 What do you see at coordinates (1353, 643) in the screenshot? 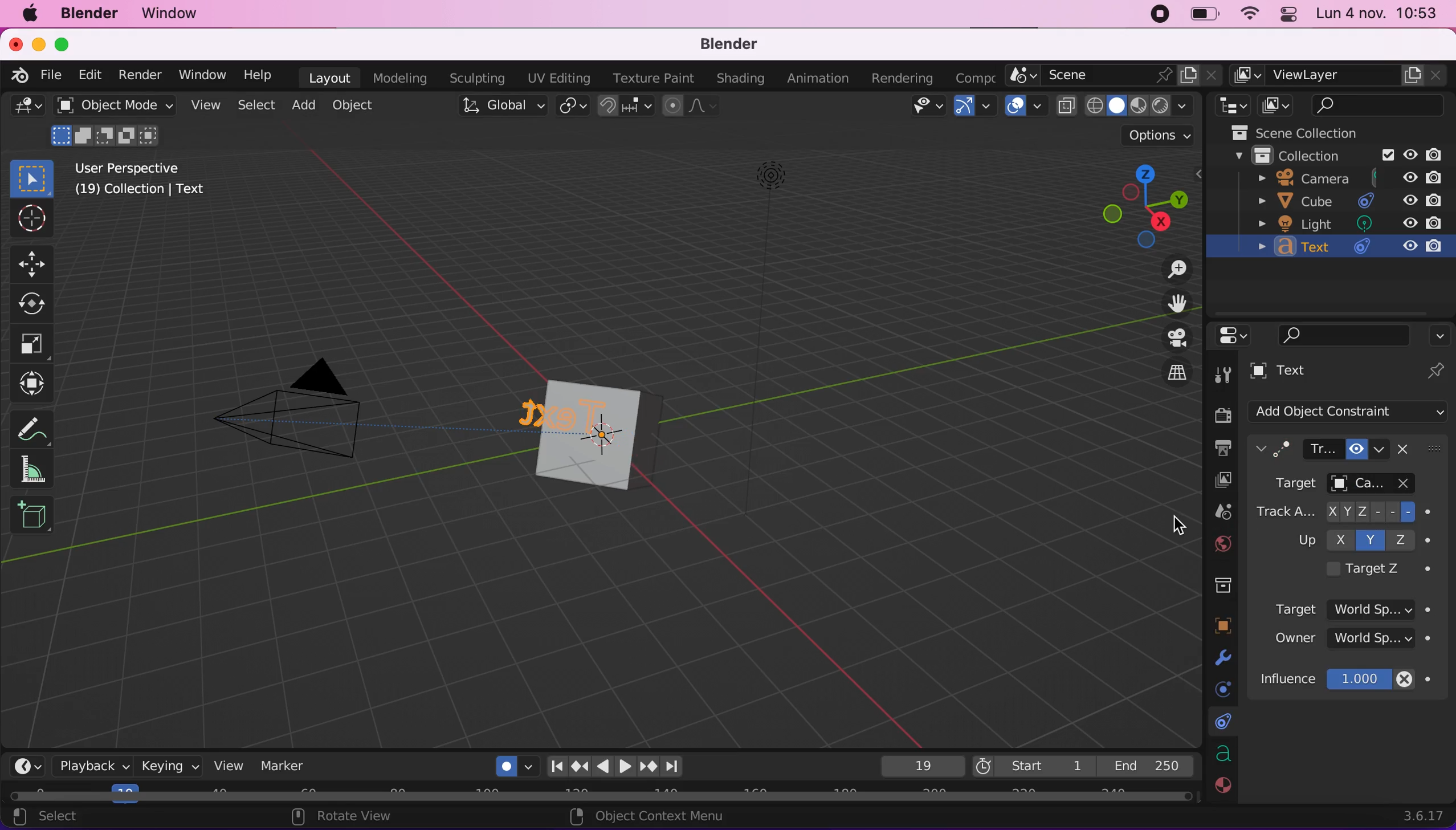
I see `owner` at bounding box center [1353, 643].